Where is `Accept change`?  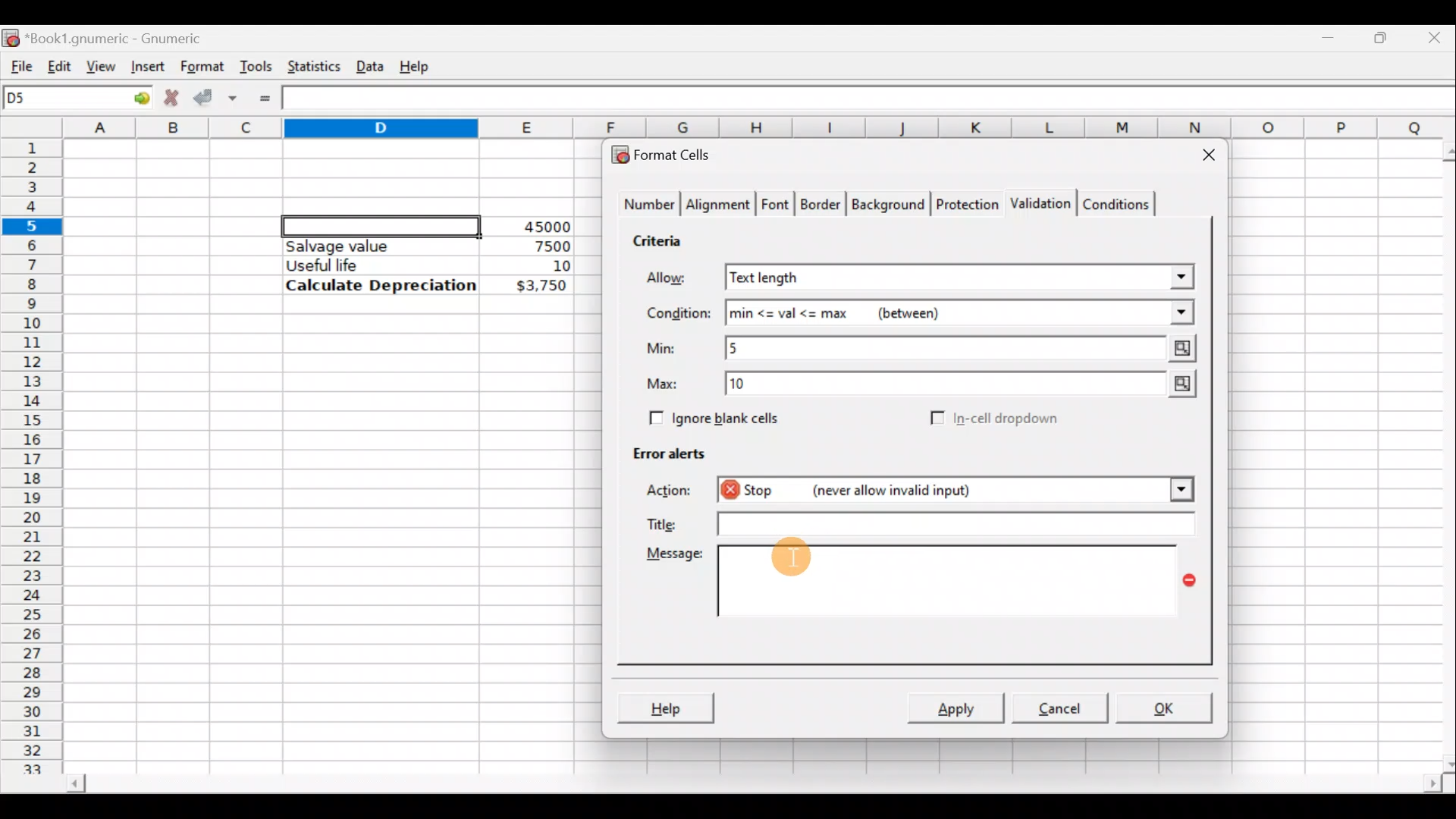 Accept change is located at coordinates (215, 96).